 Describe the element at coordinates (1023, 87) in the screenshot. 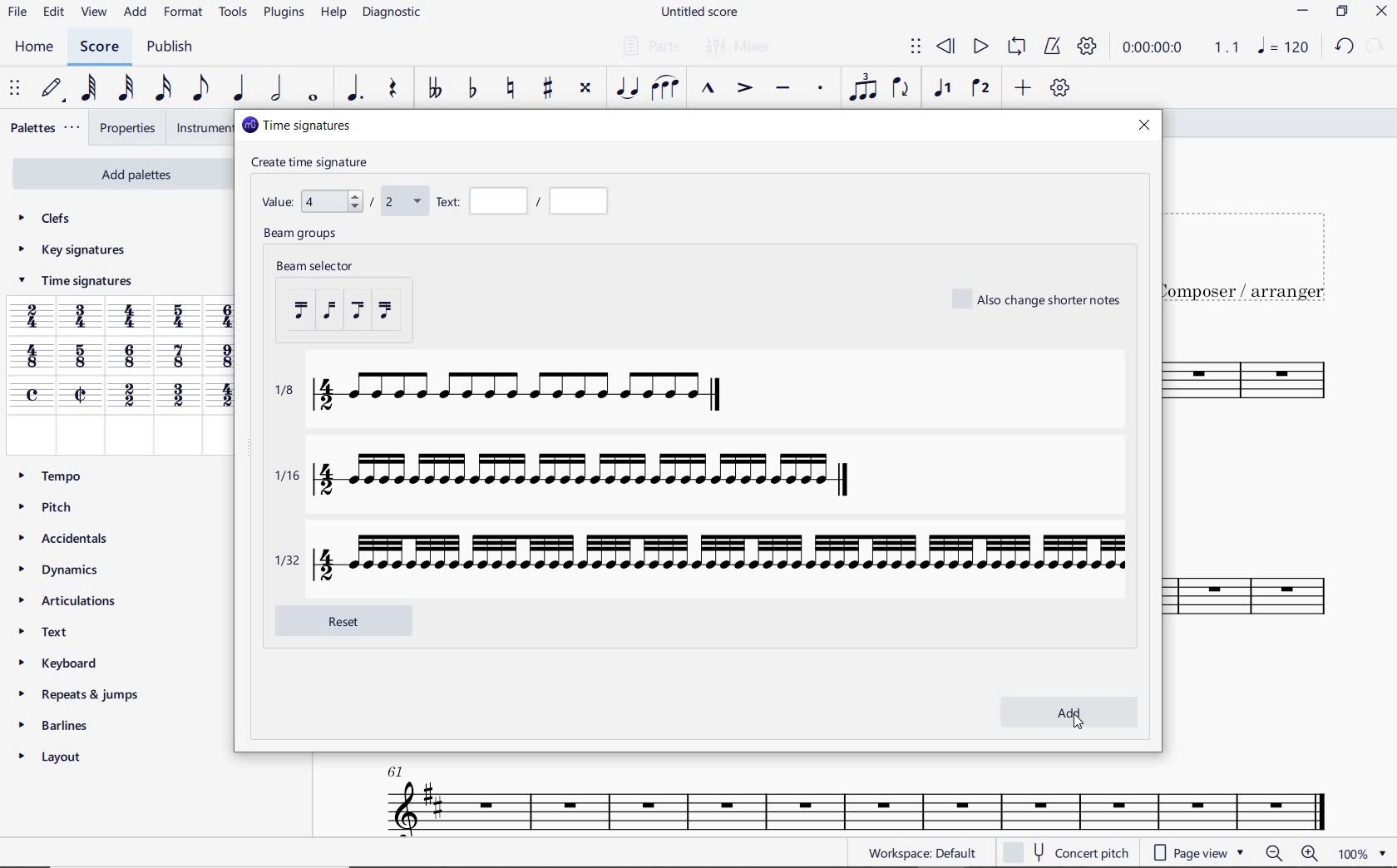

I see `ADD` at that location.